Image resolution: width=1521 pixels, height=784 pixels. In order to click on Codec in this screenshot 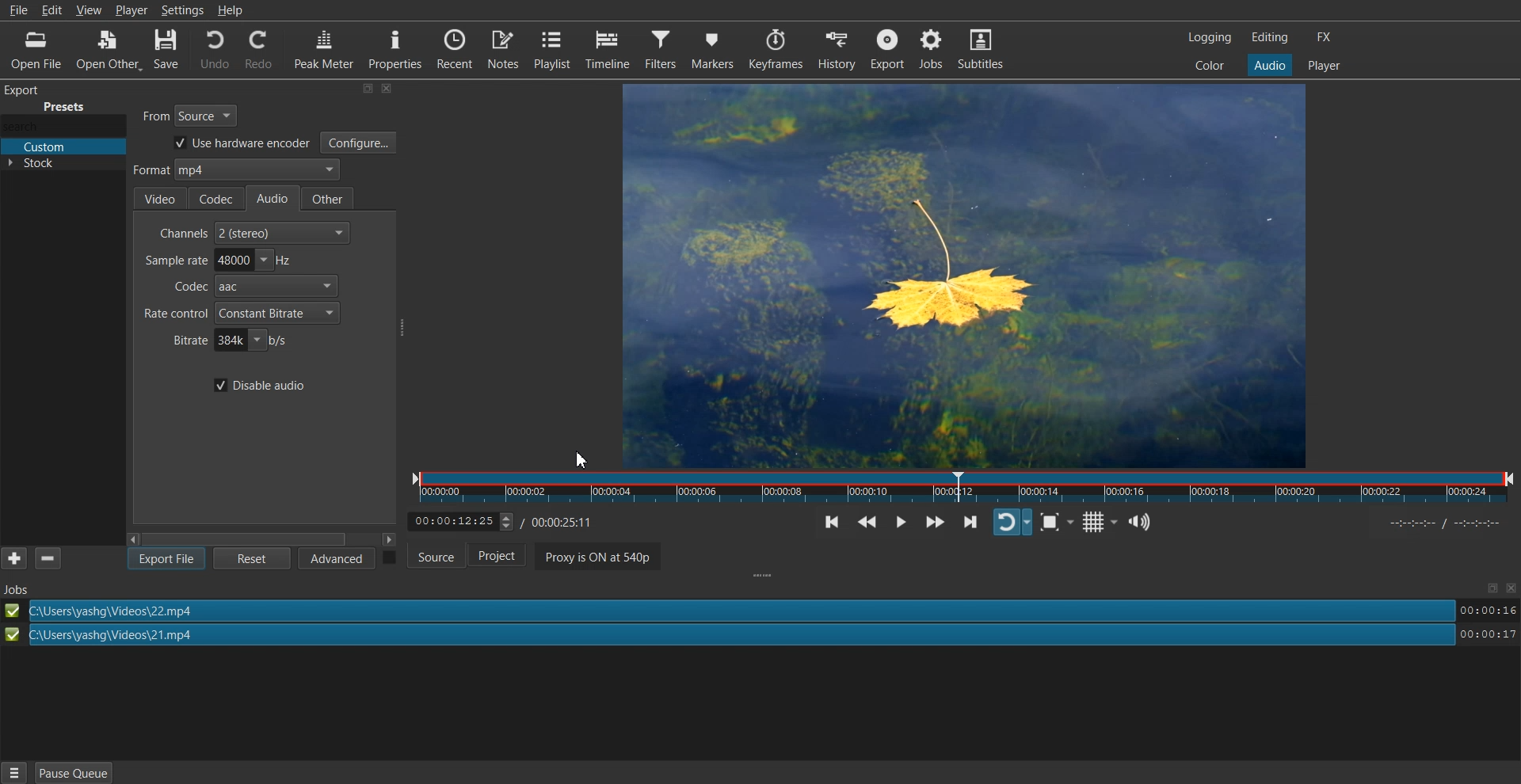, I will do `click(250, 287)`.